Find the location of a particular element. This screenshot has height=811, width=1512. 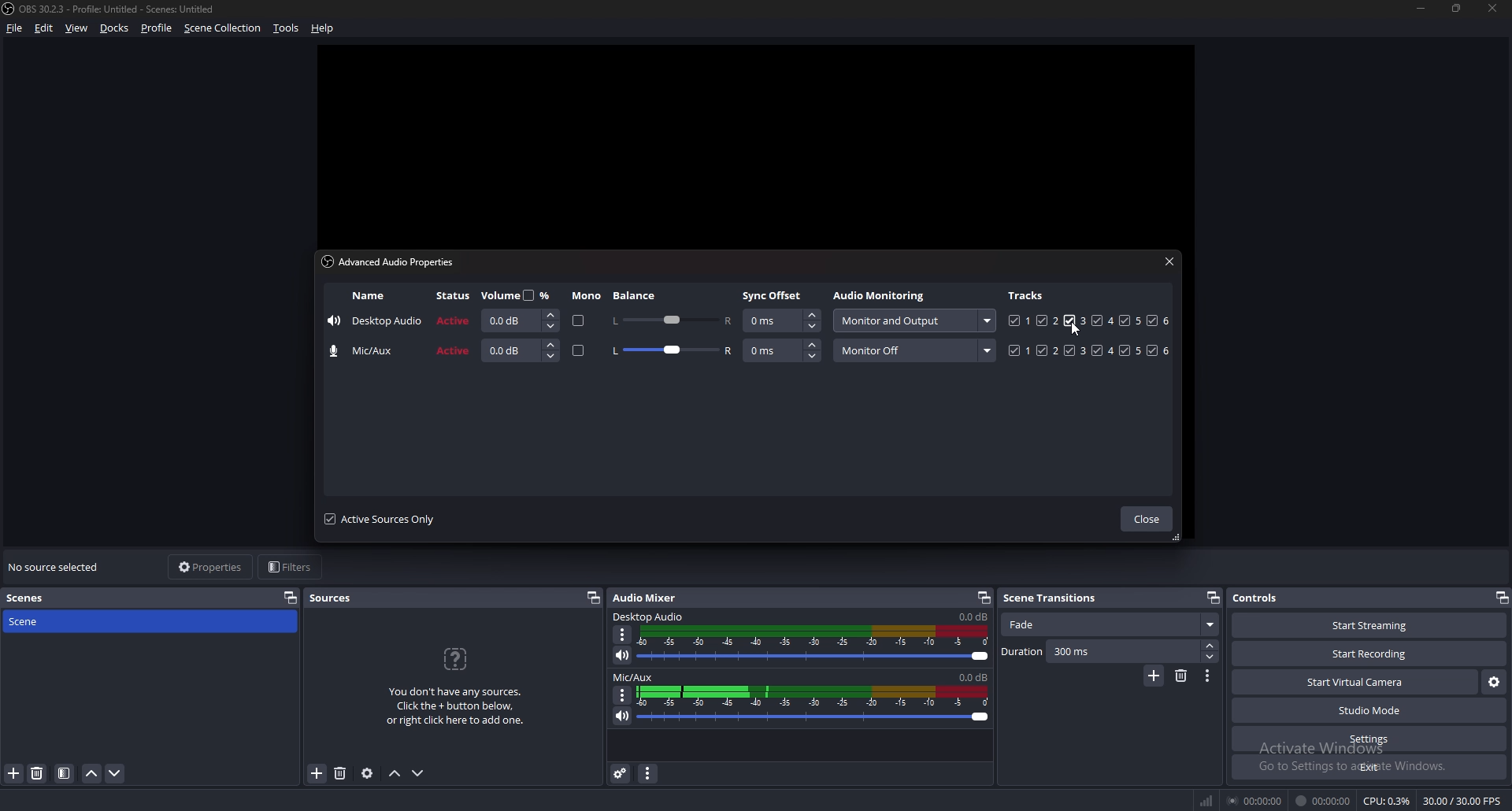

desktop audio soundbar is located at coordinates (817, 644).